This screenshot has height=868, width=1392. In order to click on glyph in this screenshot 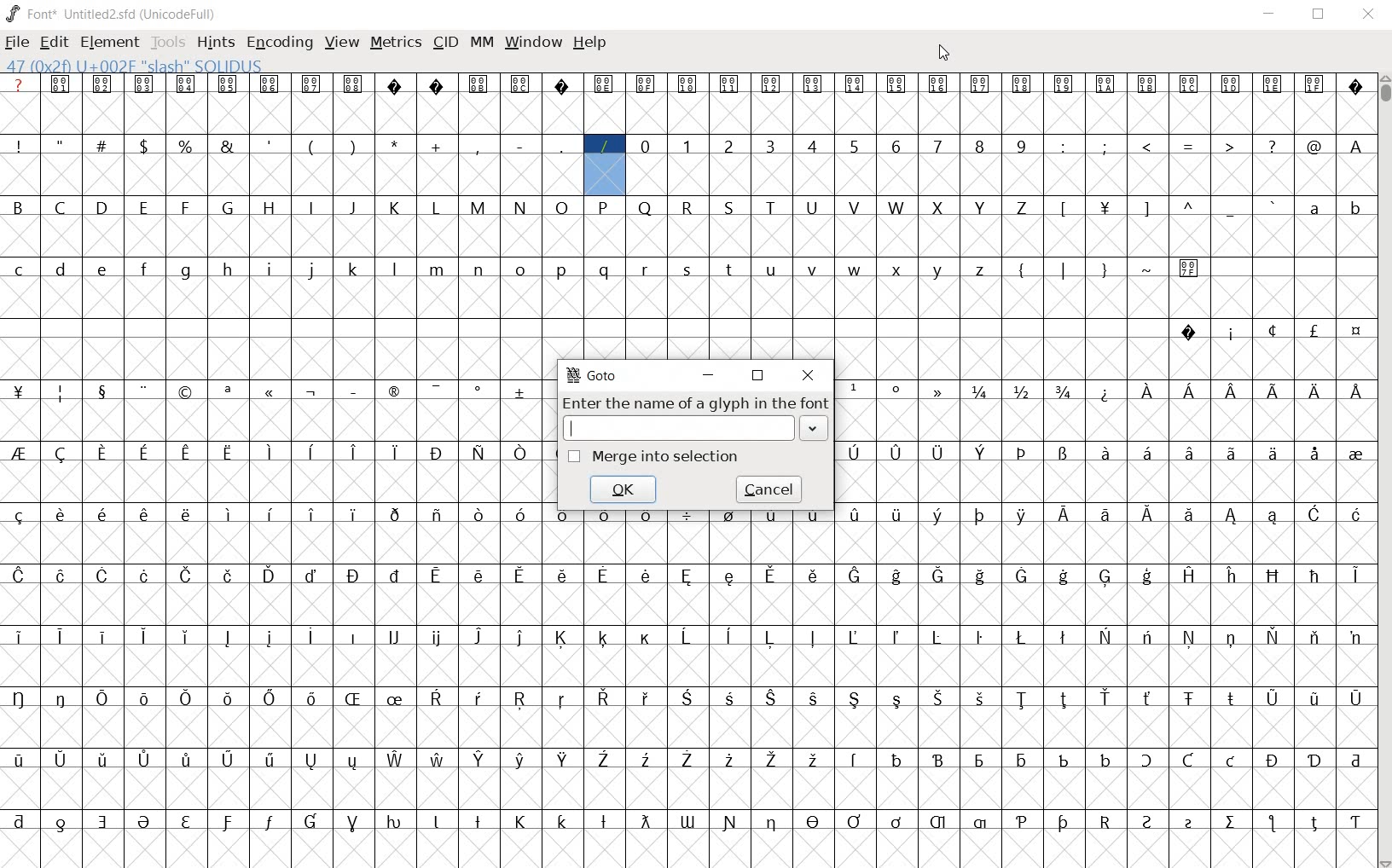, I will do `click(1022, 391)`.